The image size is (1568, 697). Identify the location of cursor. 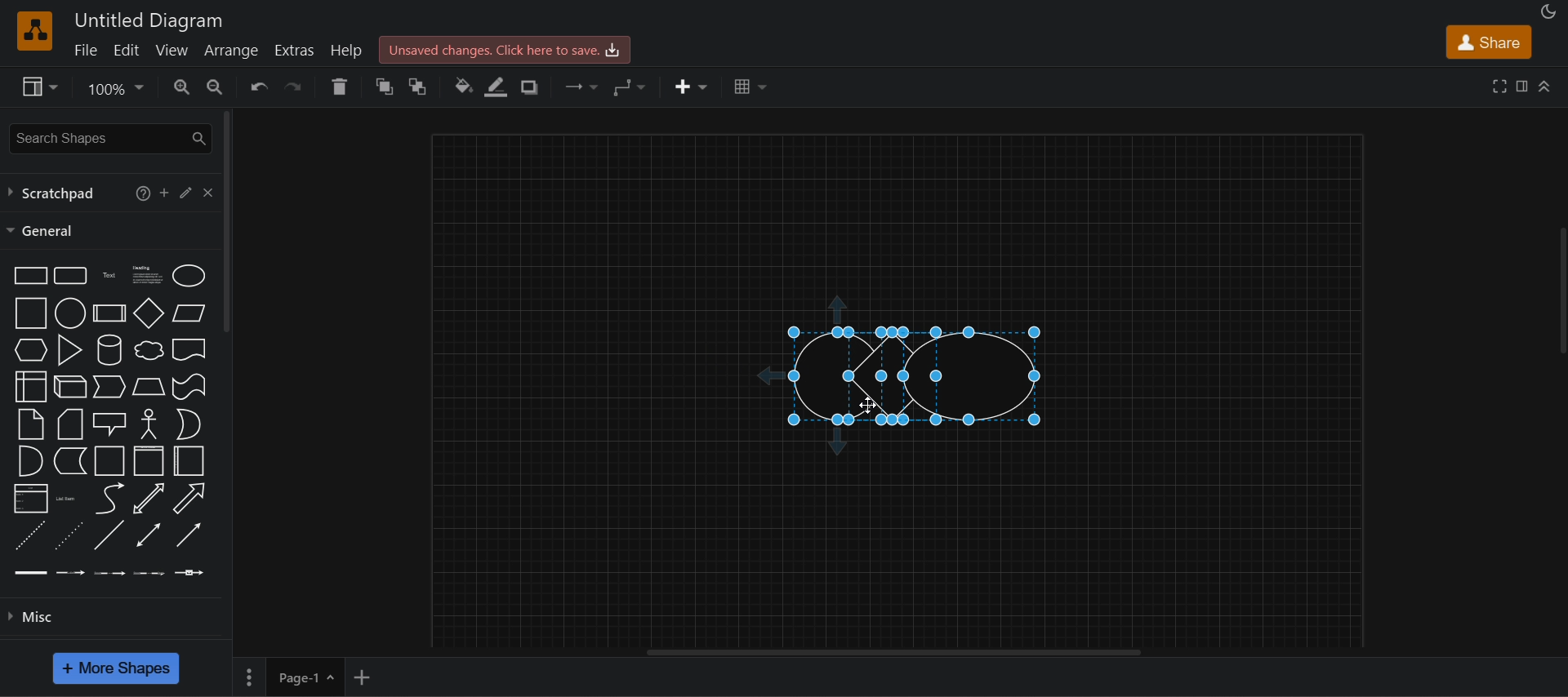
(868, 406).